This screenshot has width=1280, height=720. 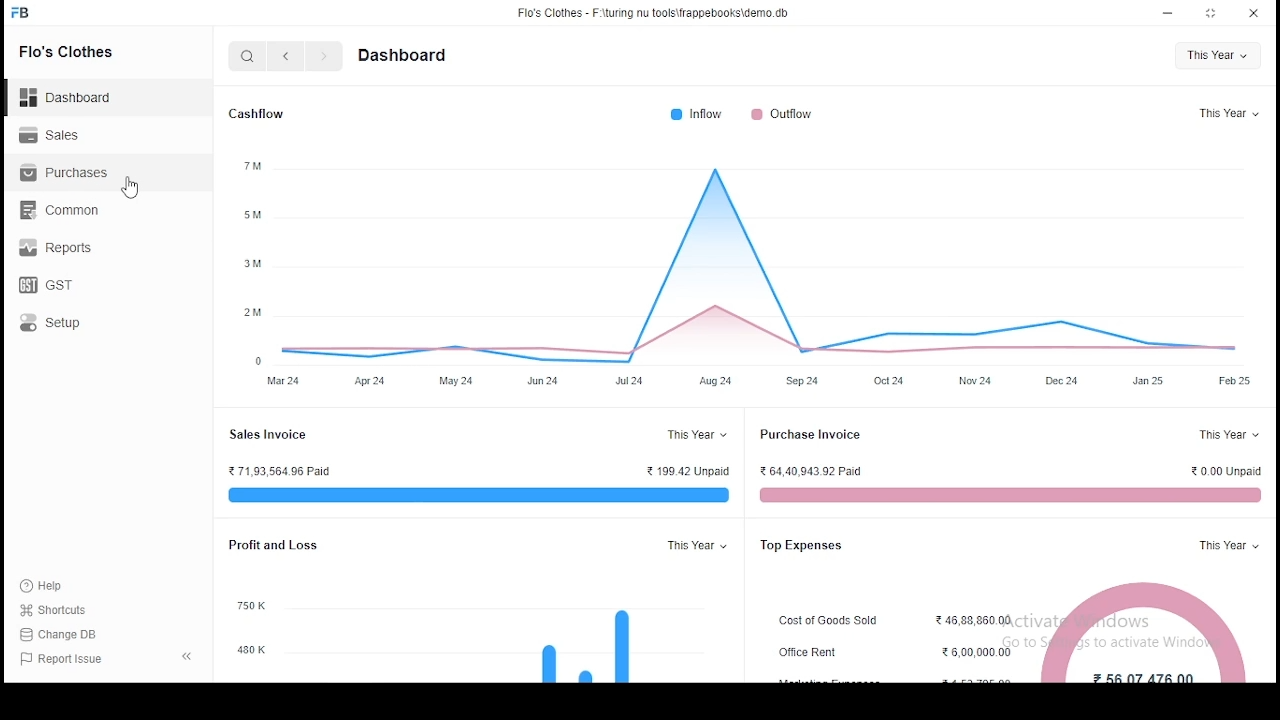 I want to click on 3m, so click(x=253, y=263).